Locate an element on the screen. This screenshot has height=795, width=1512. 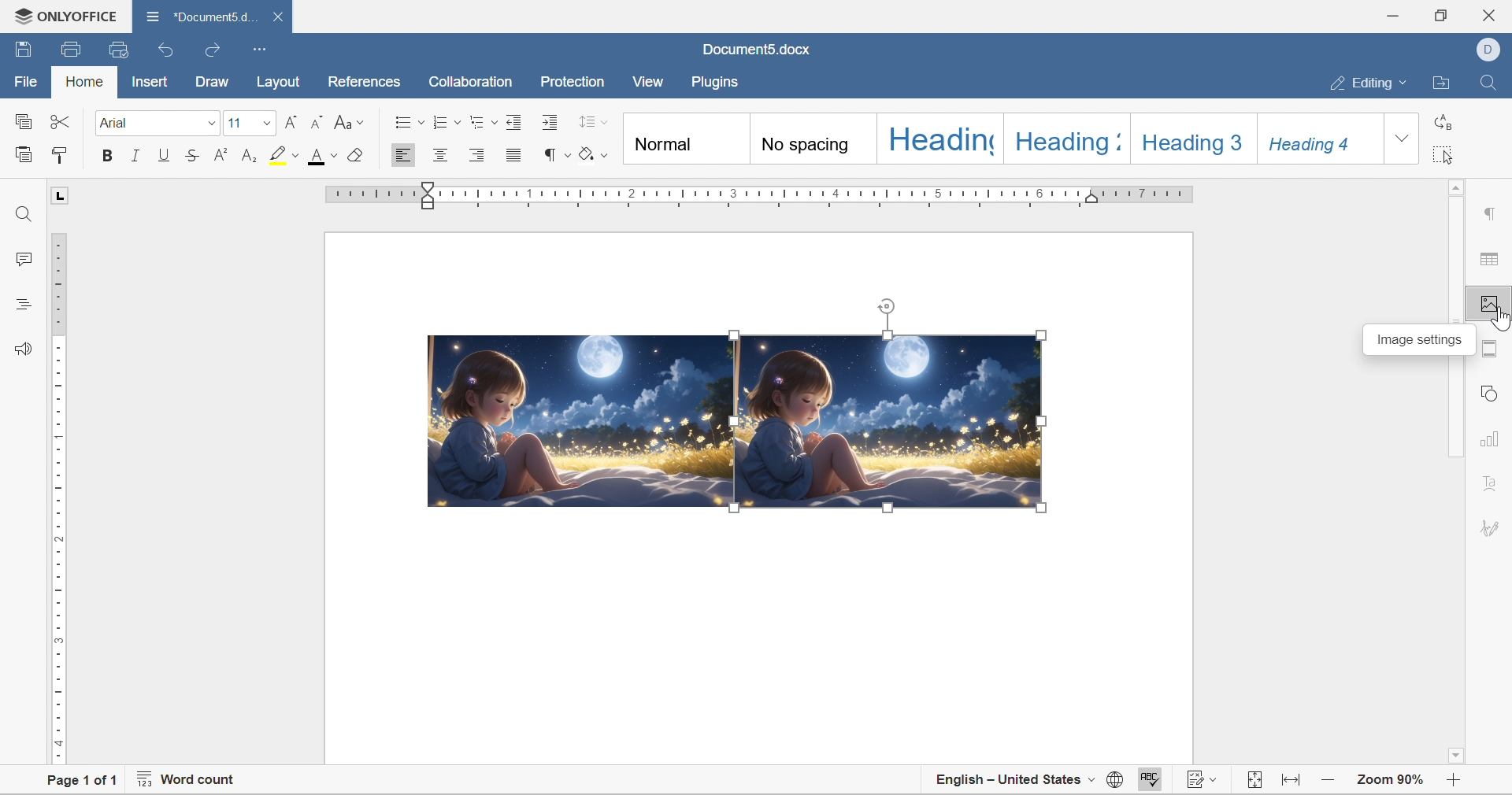
zoom in is located at coordinates (1329, 781).